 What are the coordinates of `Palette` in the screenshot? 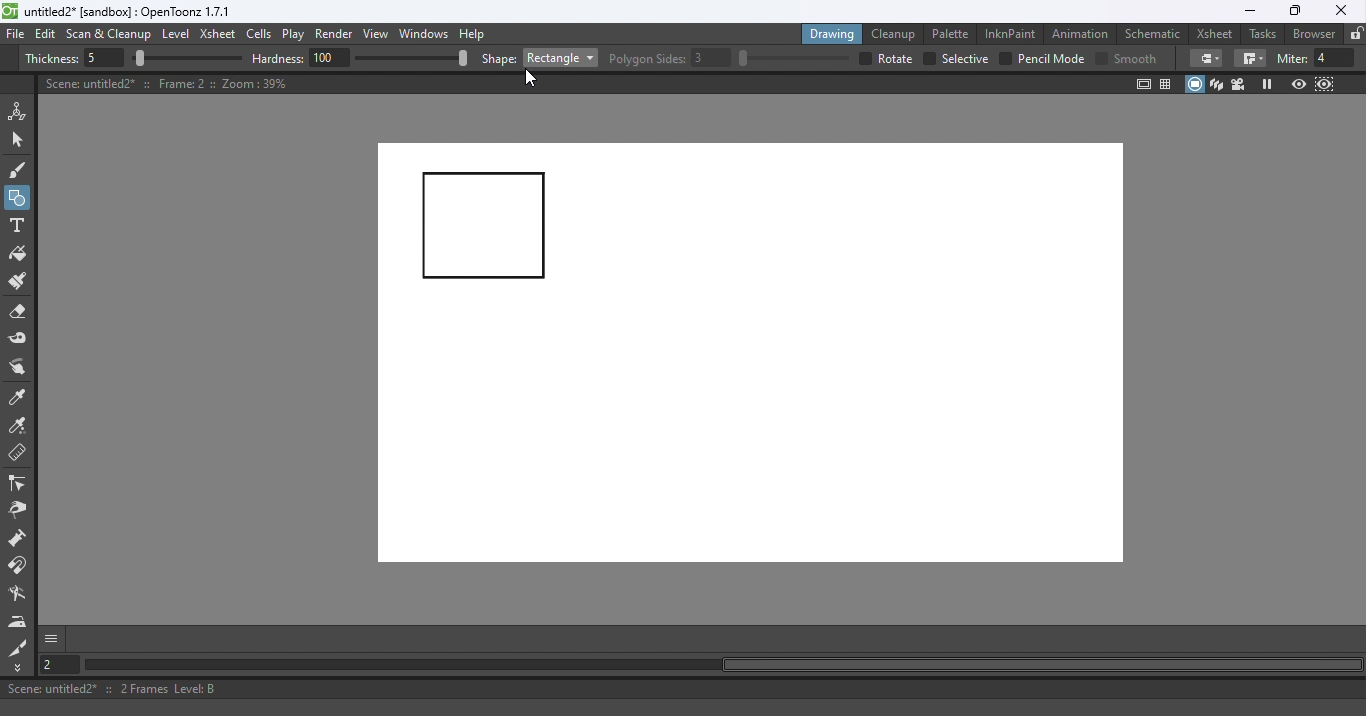 It's located at (953, 33).